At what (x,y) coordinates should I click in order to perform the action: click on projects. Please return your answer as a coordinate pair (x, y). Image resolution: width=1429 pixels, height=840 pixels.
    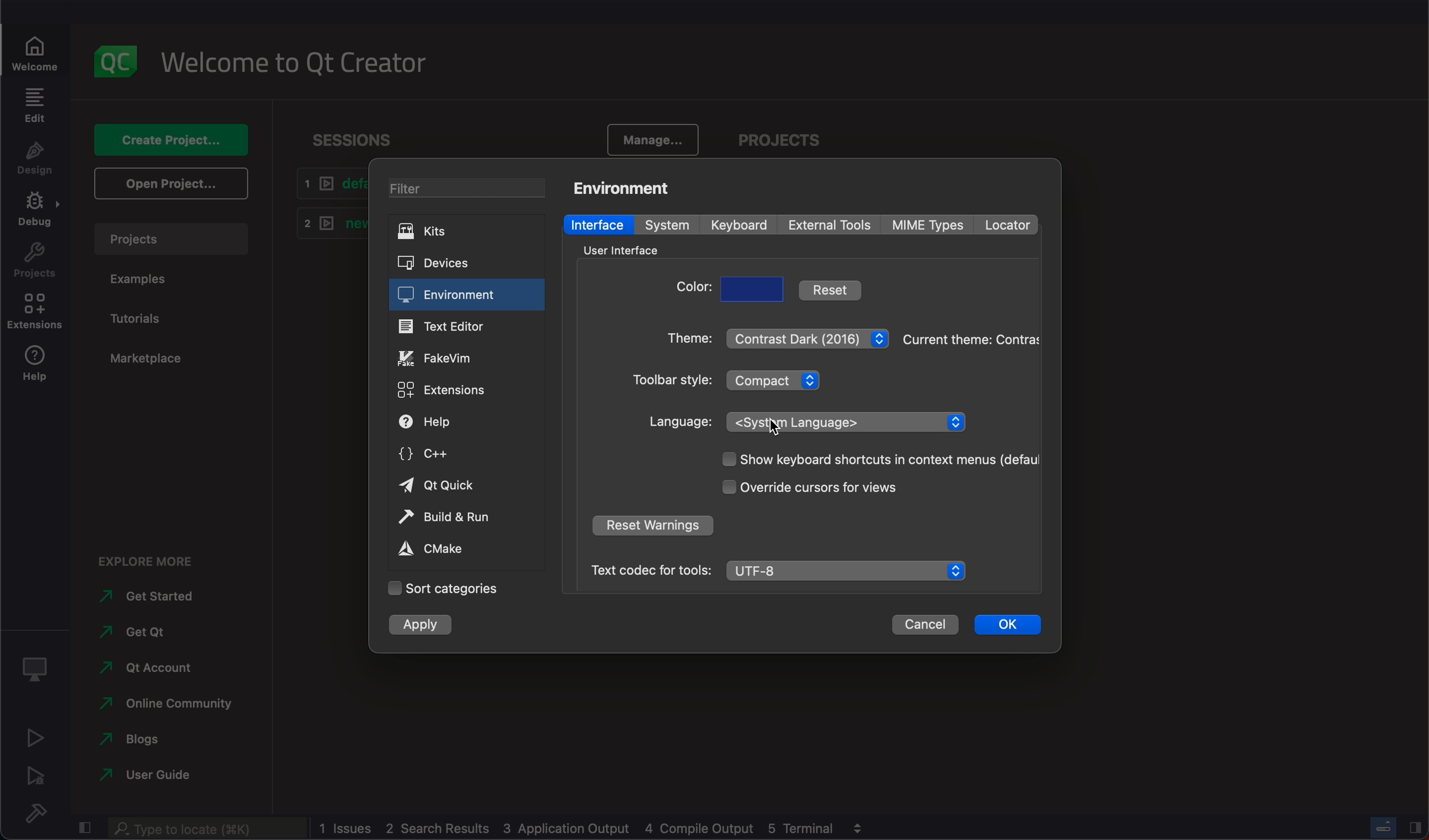
    Looking at the image, I should click on (169, 239).